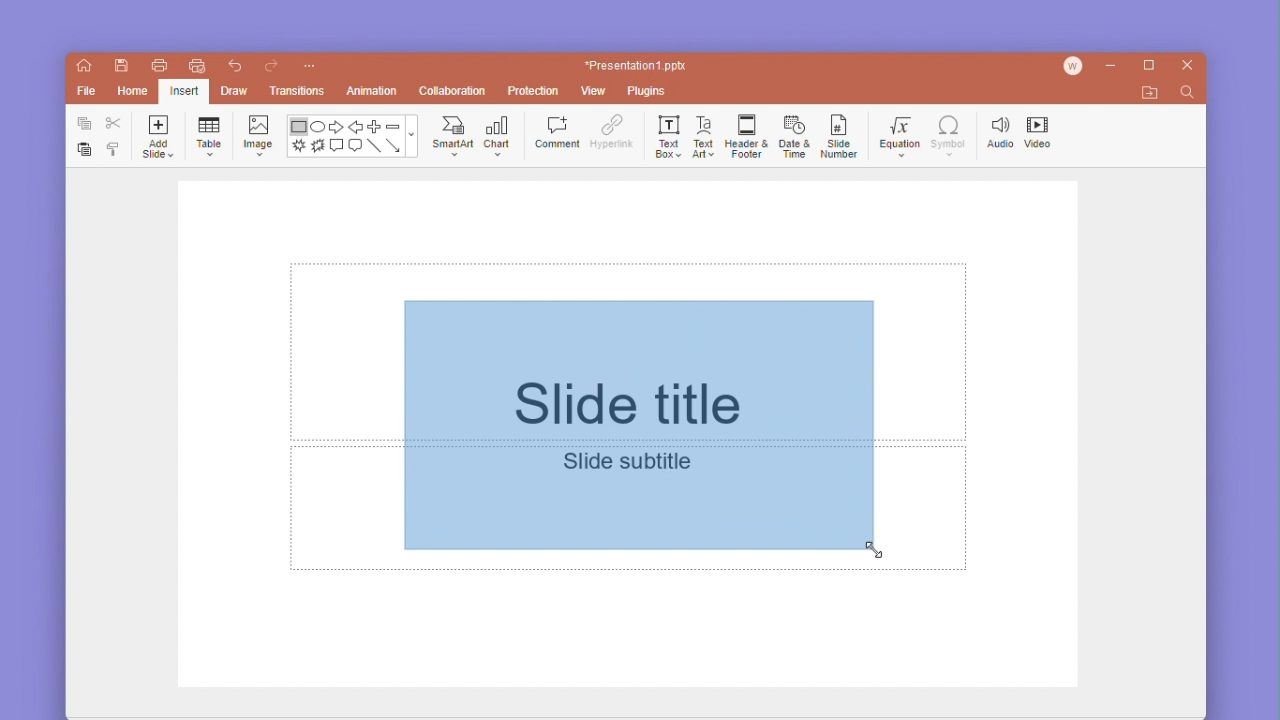 The image size is (1280, 720). I want to click on hyperlink, so click(612, 131).